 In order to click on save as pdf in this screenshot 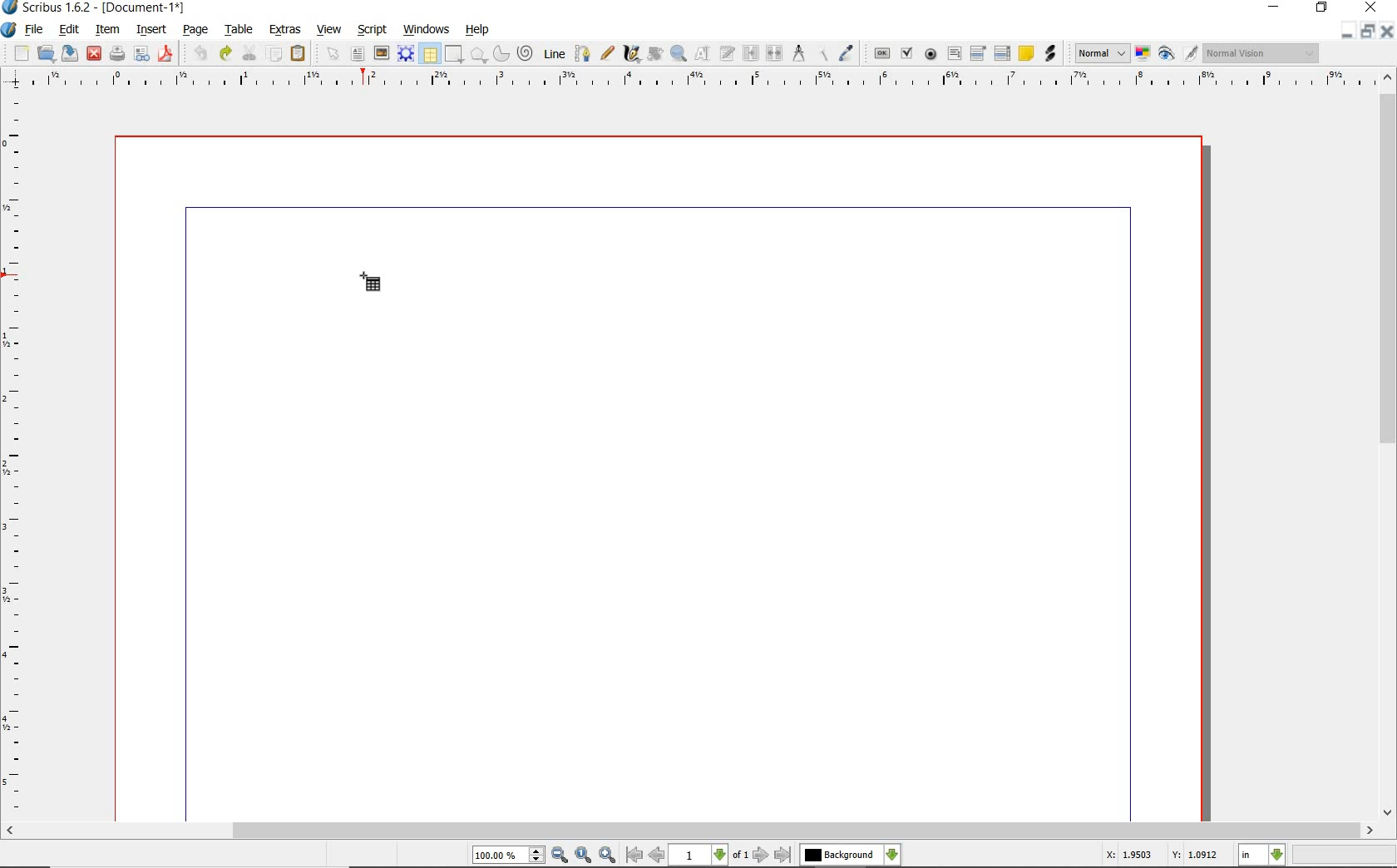, I will do `click(165, 53)`.